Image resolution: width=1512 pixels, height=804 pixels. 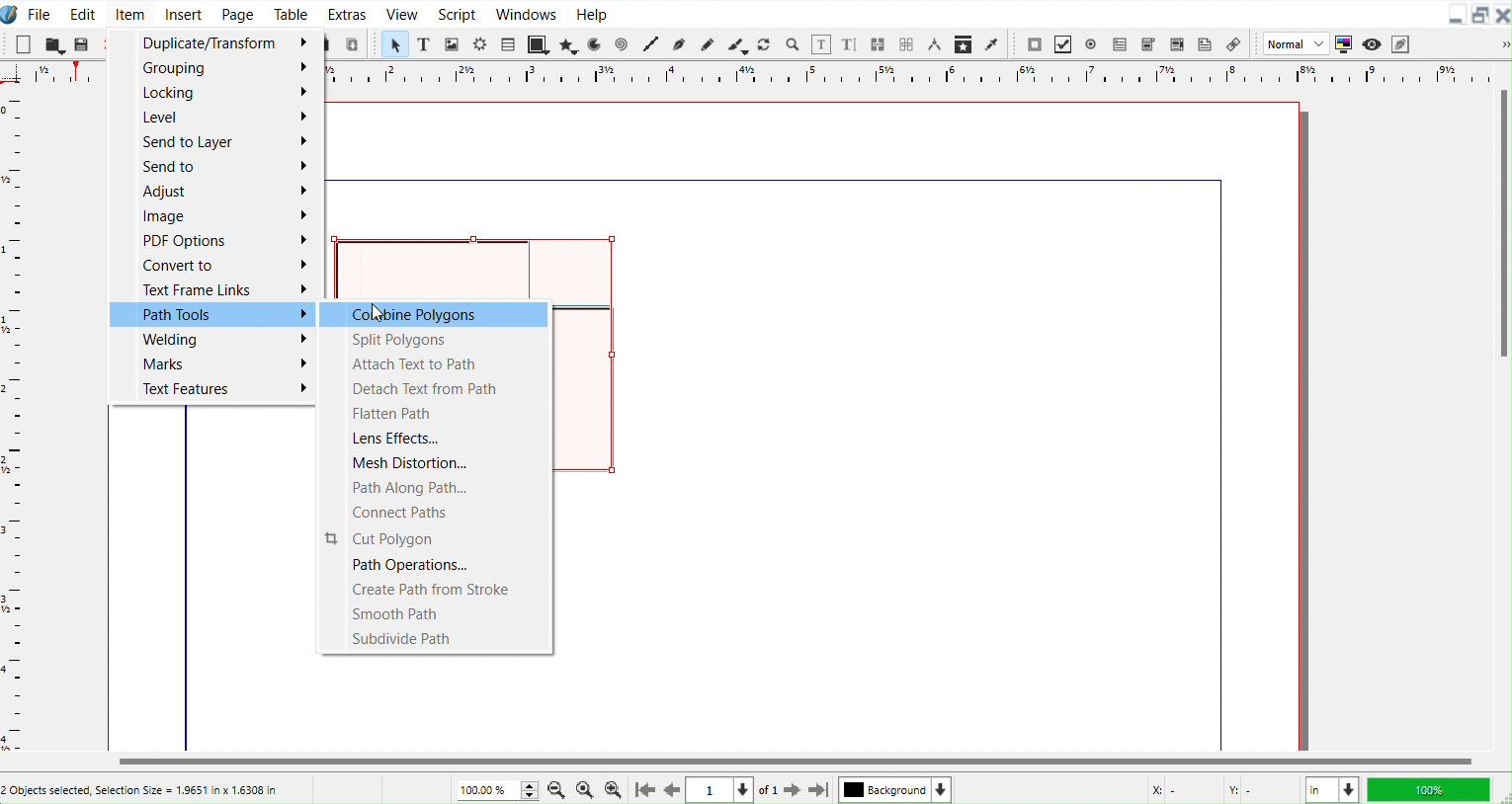 I want to click on Line, so click(x=653, y=45).